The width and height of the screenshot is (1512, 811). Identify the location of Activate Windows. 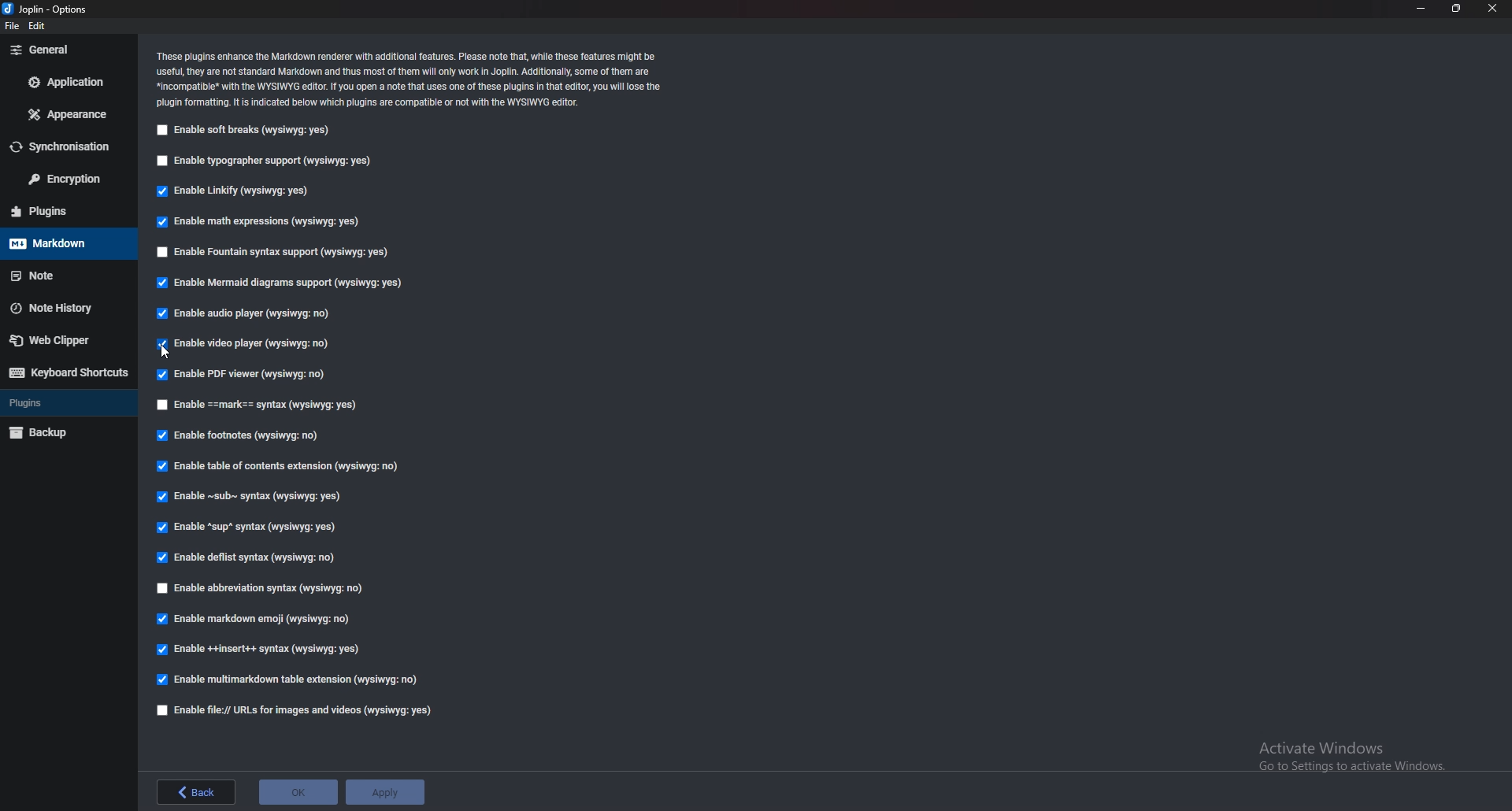
(1325, 746).